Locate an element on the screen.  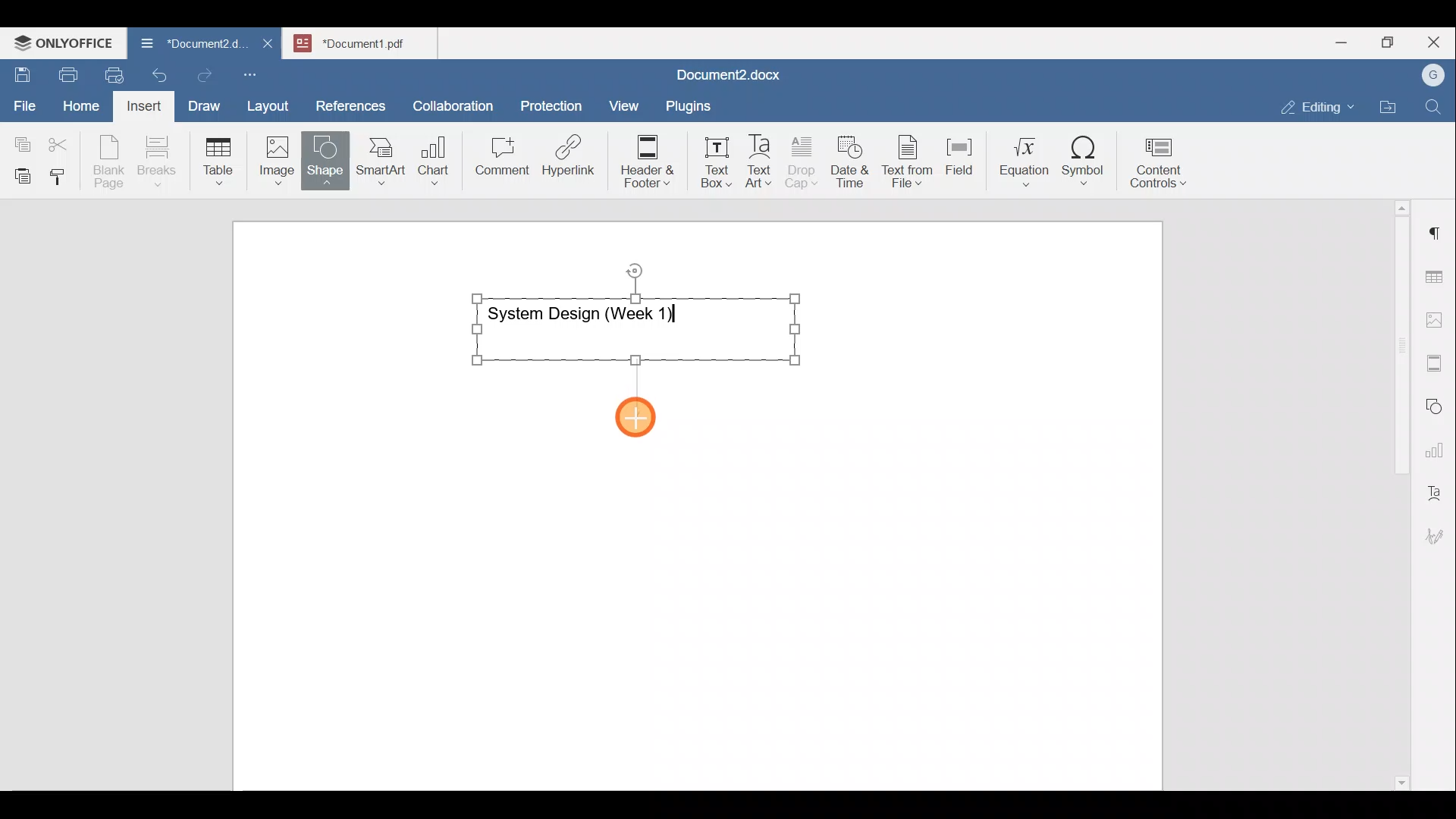
Comment is located at coordinates (497, 160).